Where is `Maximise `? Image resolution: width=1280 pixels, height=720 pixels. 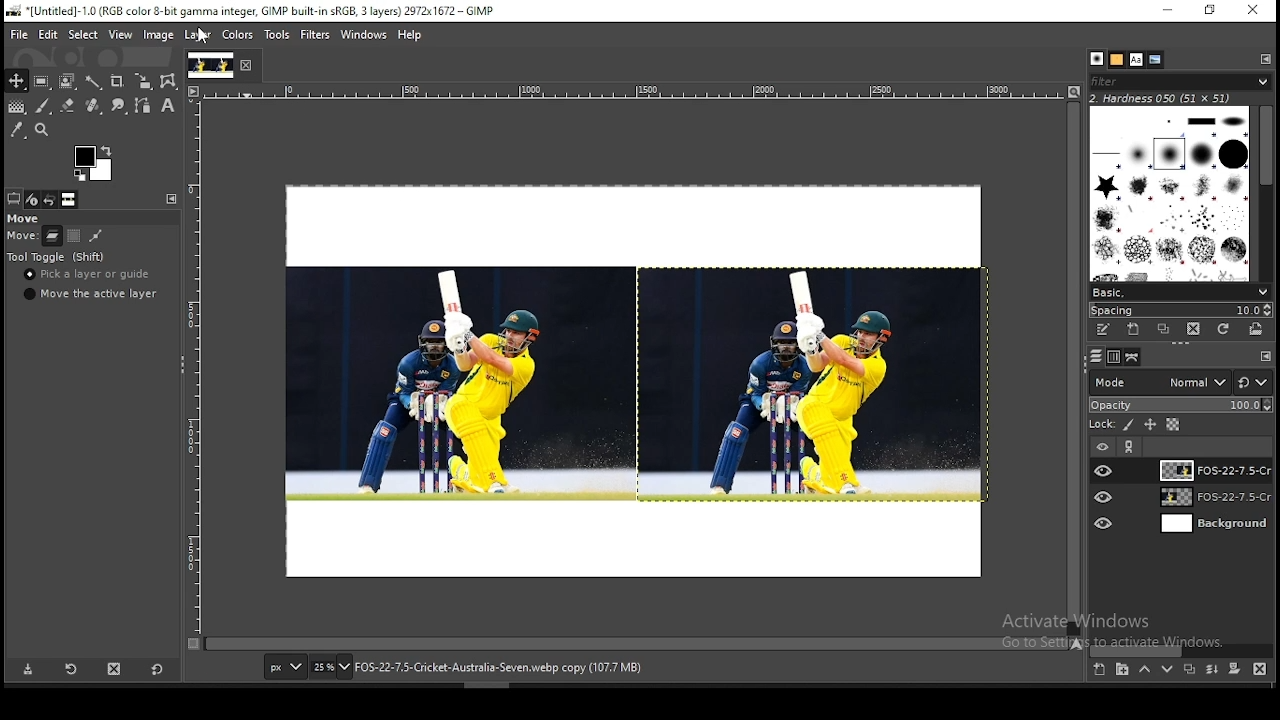 Maximise  is located at coordinates (1211, 10).